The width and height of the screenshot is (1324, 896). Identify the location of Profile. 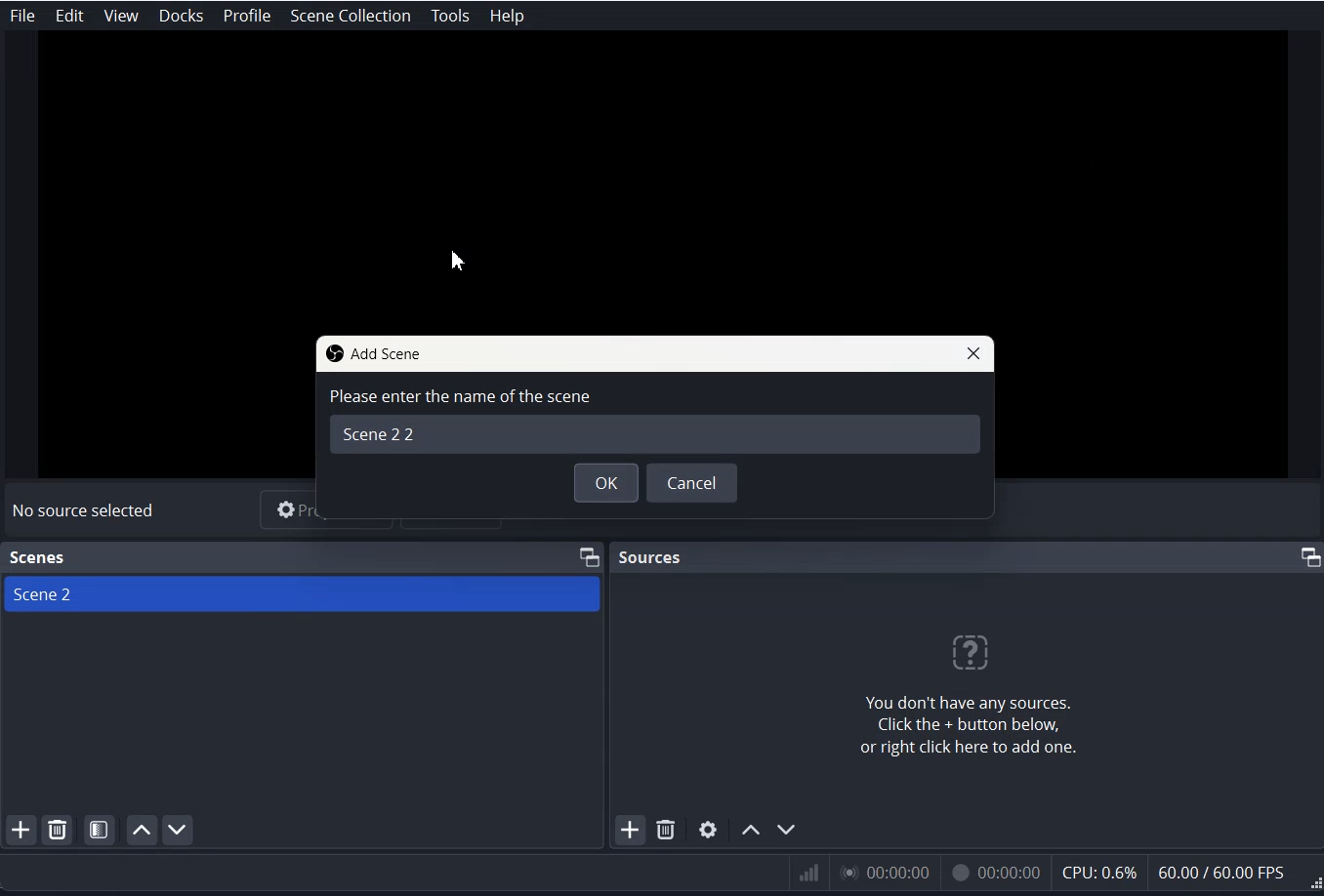
(248, 17).